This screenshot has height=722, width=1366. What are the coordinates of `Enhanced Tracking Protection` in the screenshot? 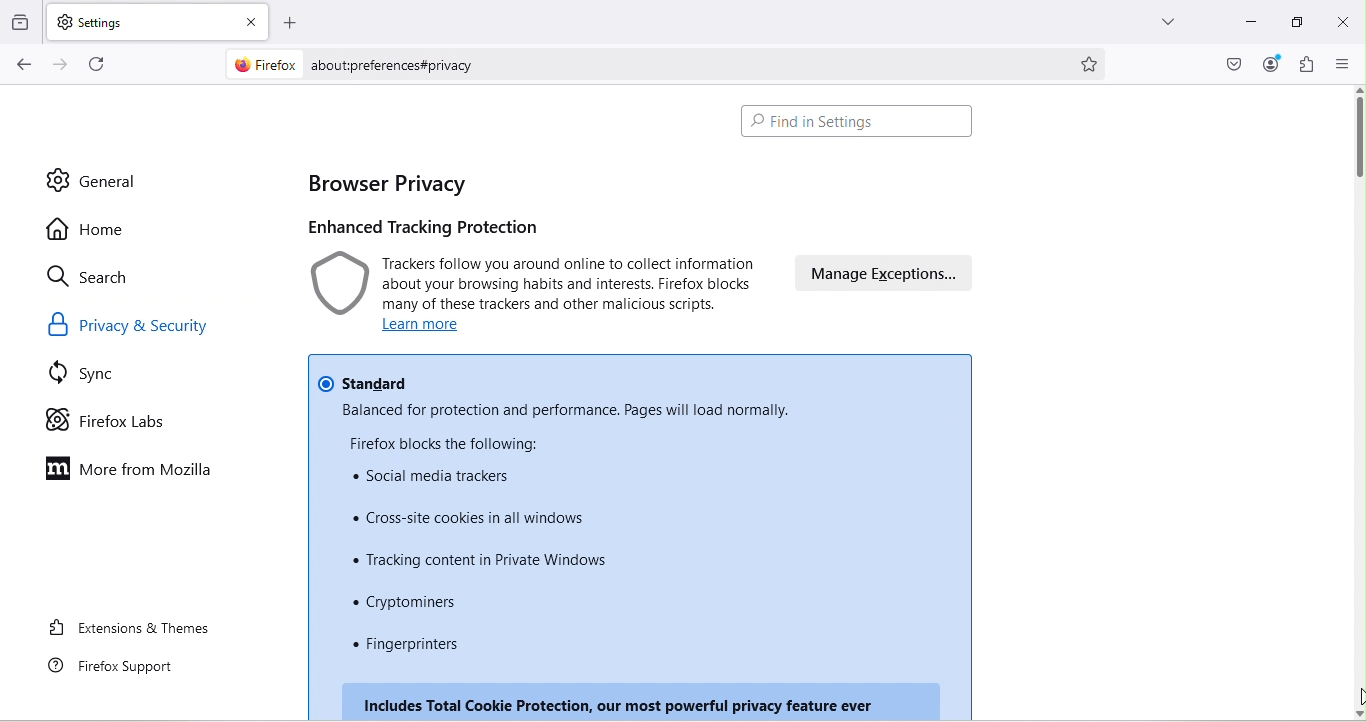 It's located at (438, 225).